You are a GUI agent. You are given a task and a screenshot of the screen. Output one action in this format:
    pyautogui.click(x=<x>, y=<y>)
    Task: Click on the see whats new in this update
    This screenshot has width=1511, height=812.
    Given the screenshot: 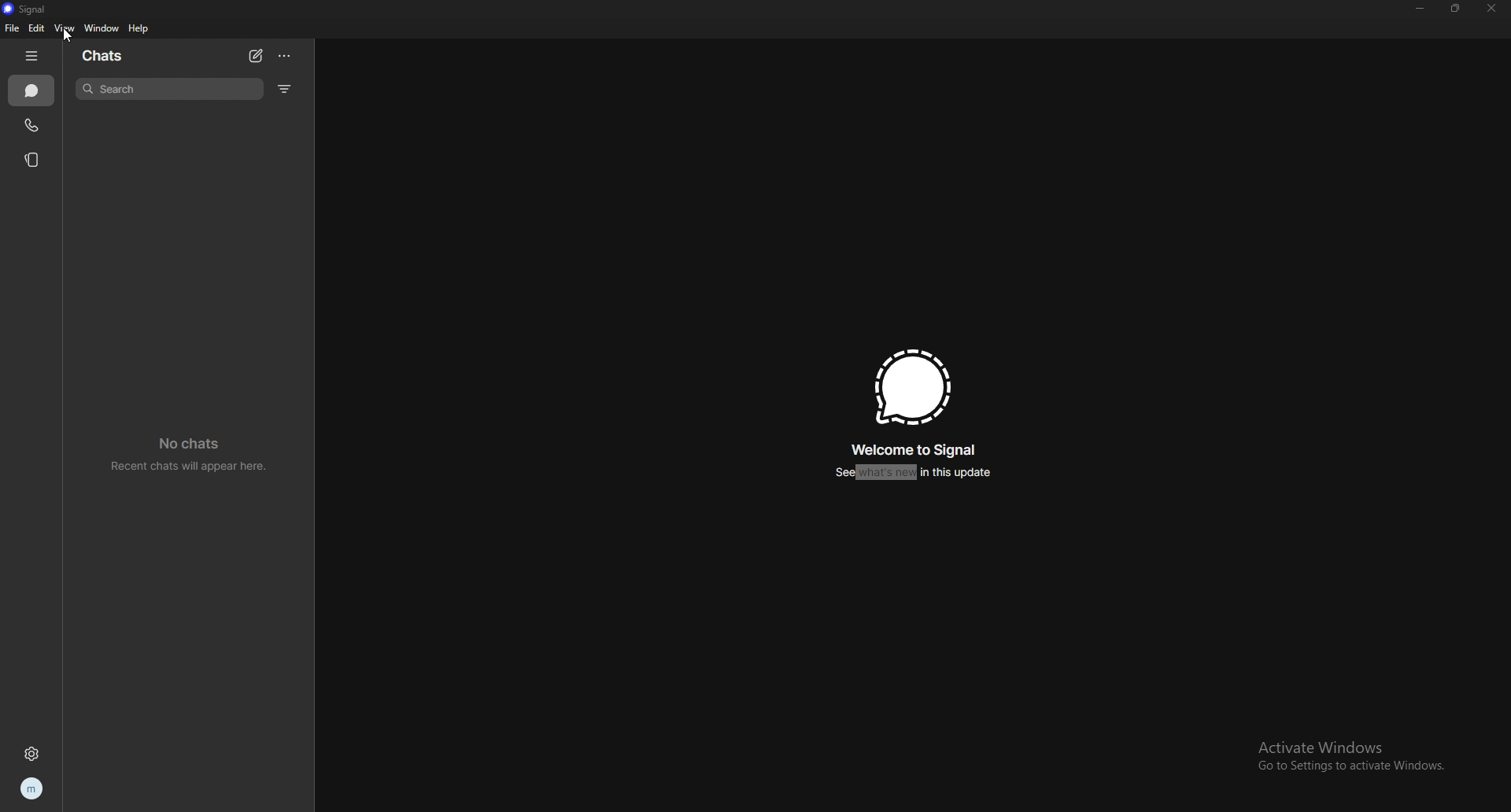 What is the action you would take?
    pyautogui.click(x=913, y=471)
    